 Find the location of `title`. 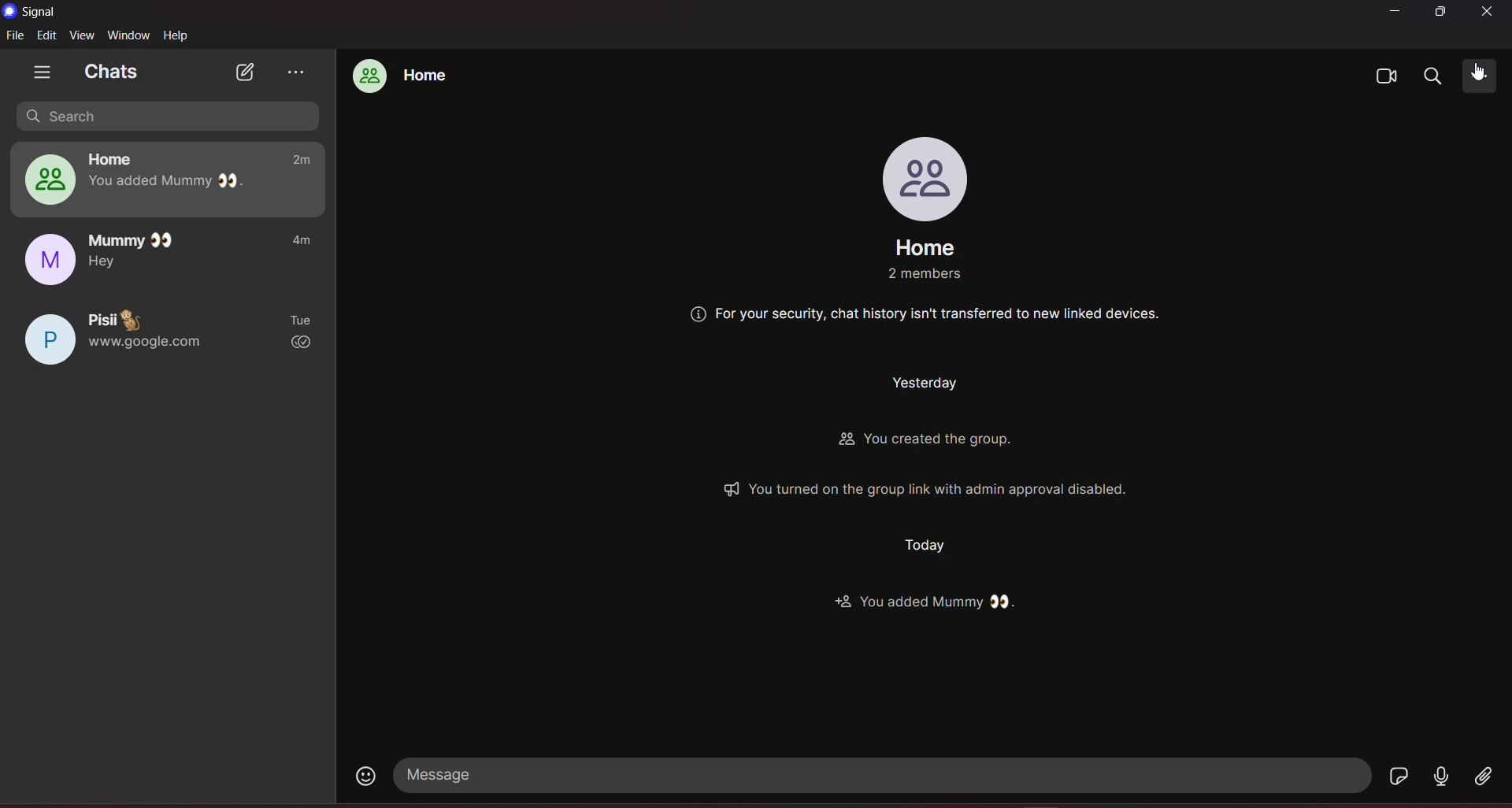

title is located at coordinates (43, 11).